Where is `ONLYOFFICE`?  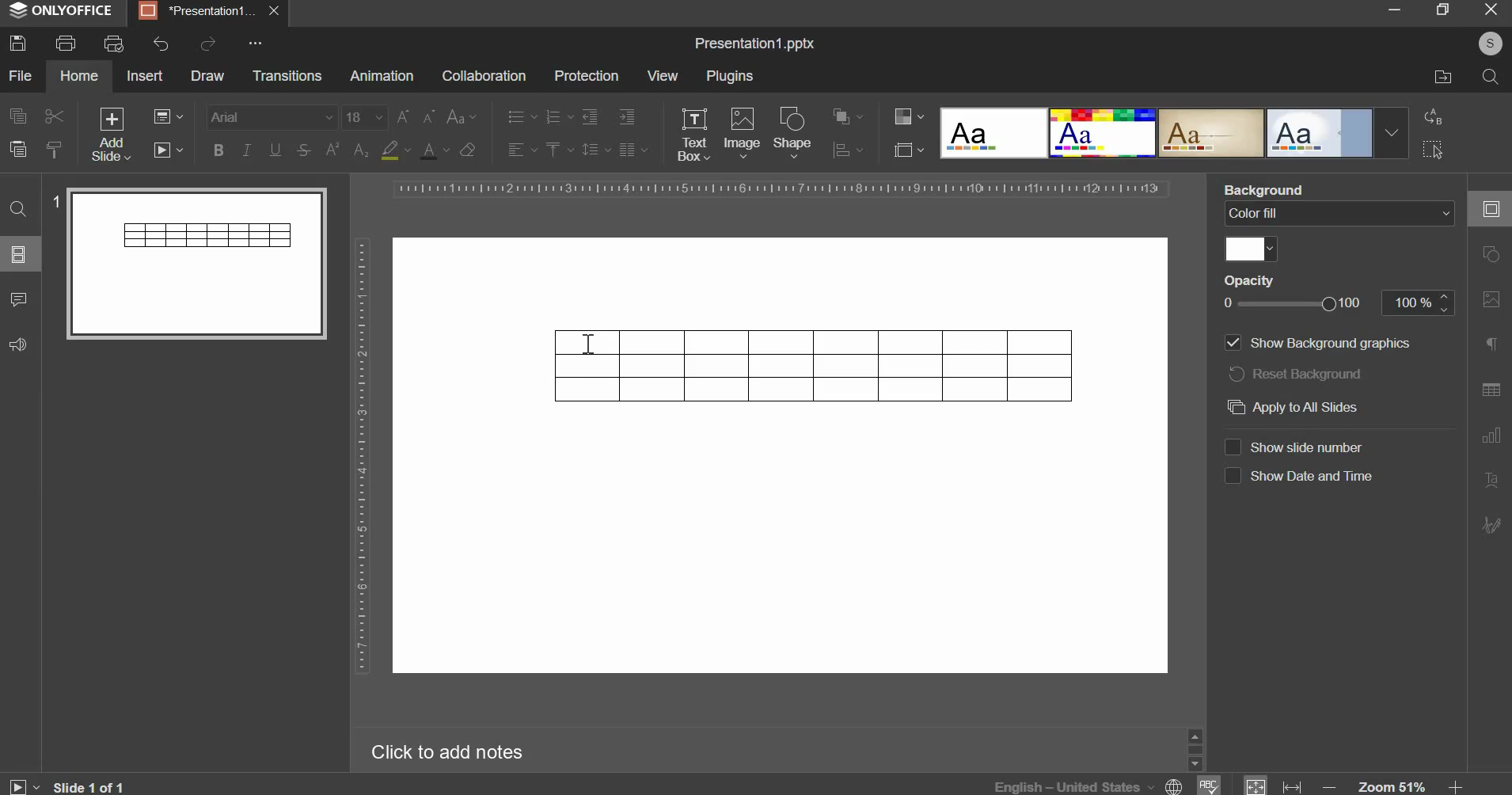 ONLYOFFICE is located at coordinates (61, 10).